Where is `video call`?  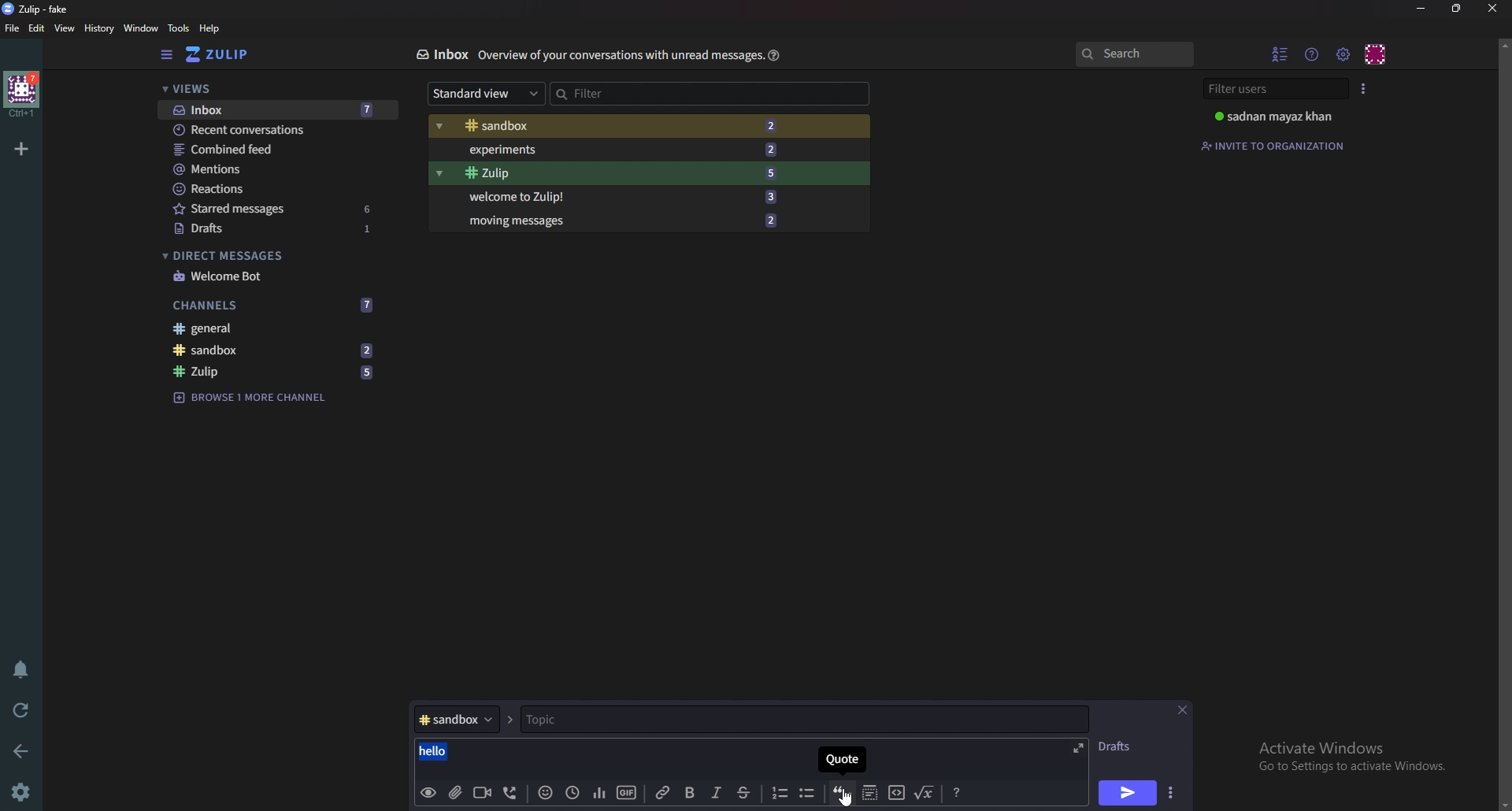
video call is located at coordinates (482, 793).